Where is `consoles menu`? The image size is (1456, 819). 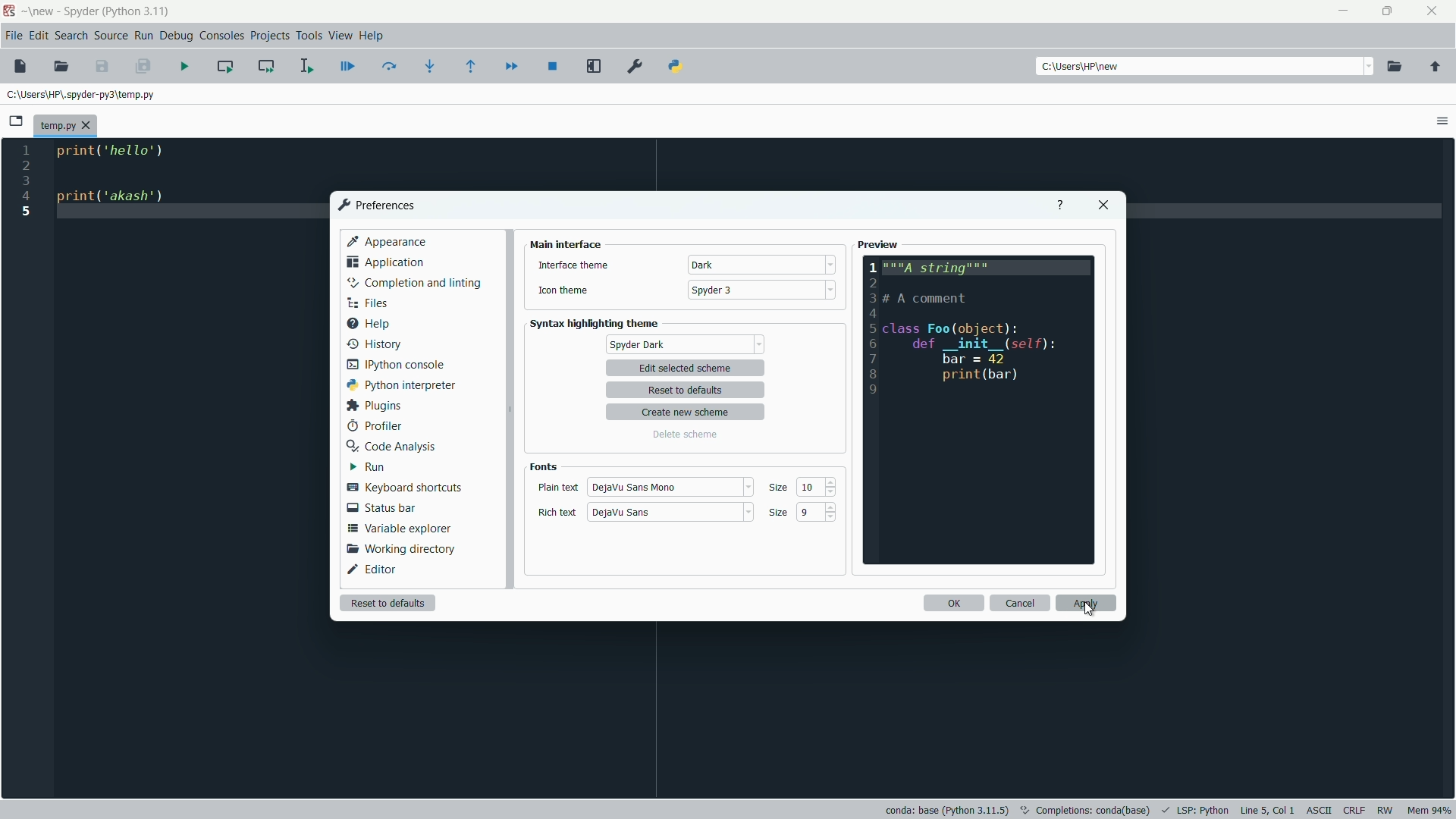 consoles menu is located at coordinates (224, 35).